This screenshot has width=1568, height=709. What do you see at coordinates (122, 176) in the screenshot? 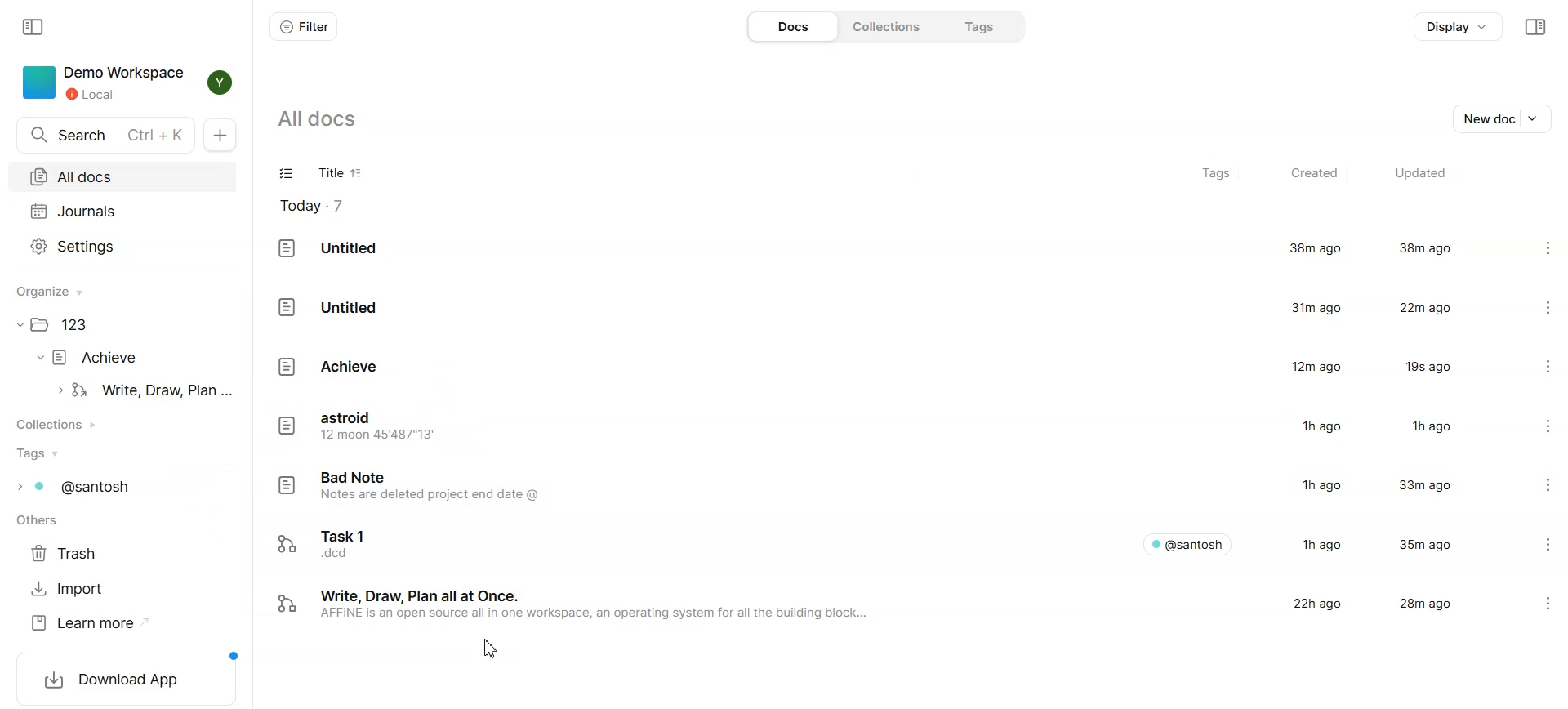
I see `All docs` at bounding box center [122, 176].